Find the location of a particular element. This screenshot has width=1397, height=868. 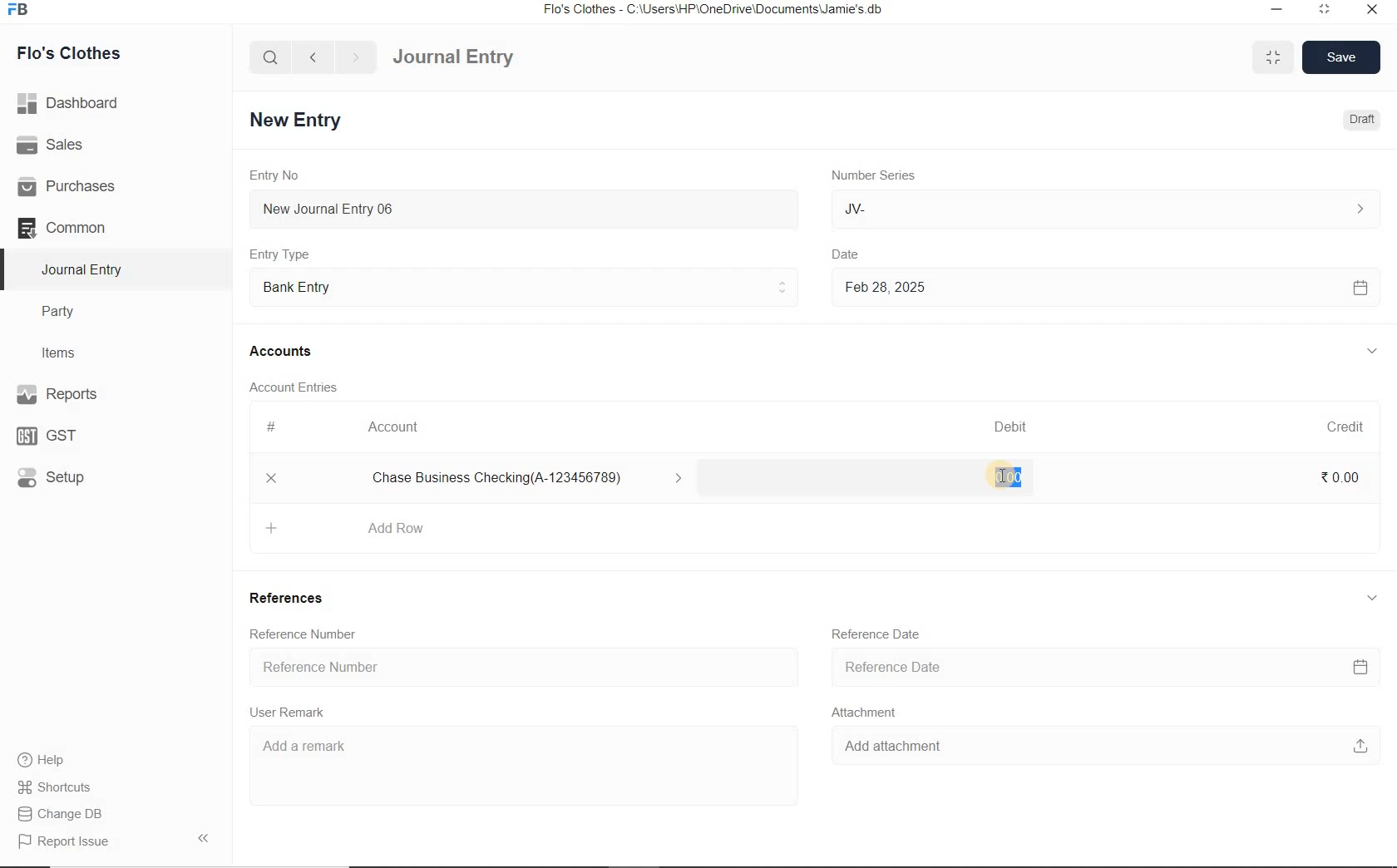

Attachment is located at coordinates (869, 715).